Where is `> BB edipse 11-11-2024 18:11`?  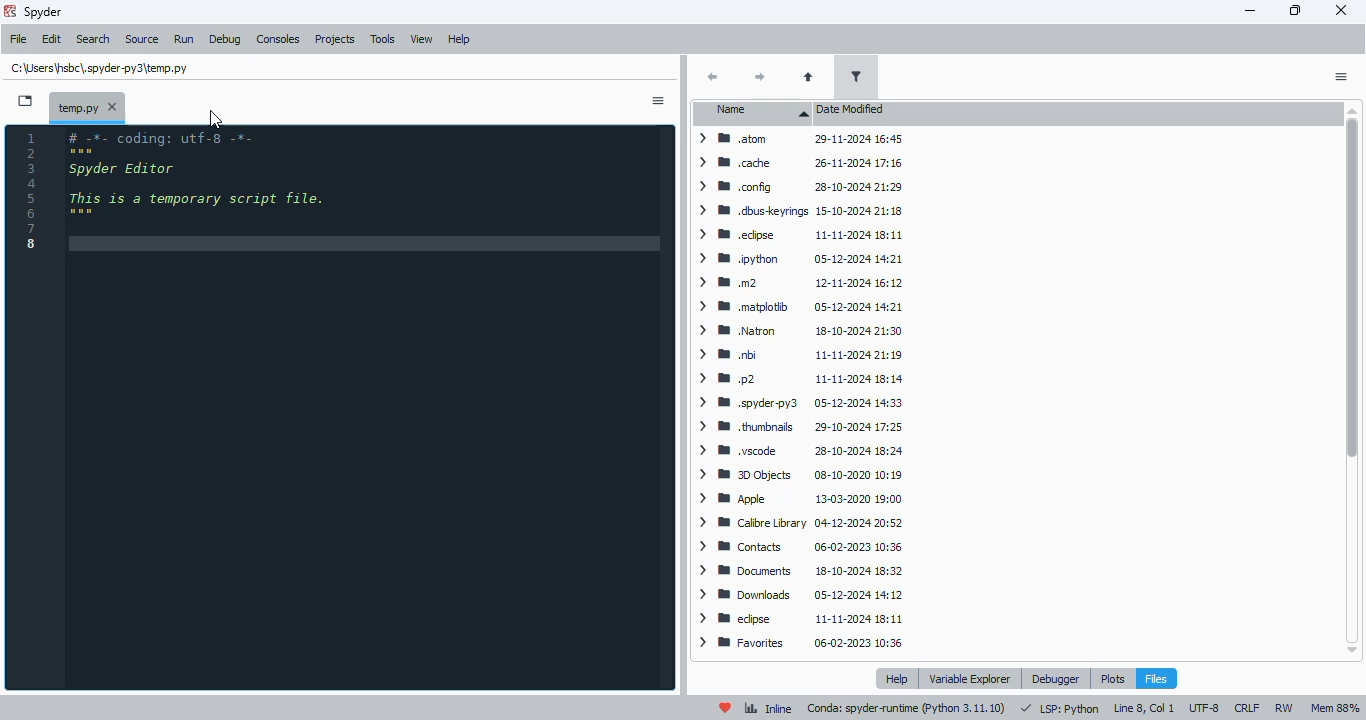 > BB edipse 11-11-2024 18:11 is located at coordinates (798, 617).